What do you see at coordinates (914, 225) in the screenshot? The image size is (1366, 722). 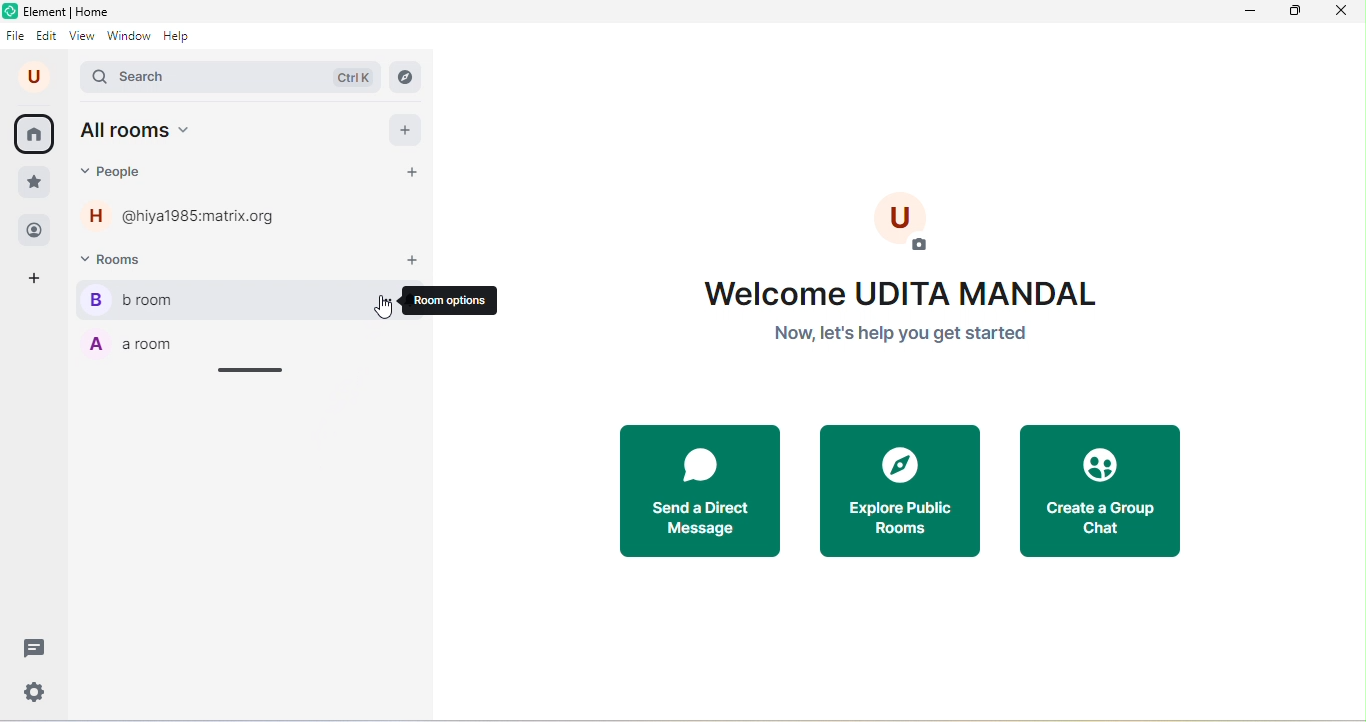 I see `add profile photo` at bounding box center [914, 225].